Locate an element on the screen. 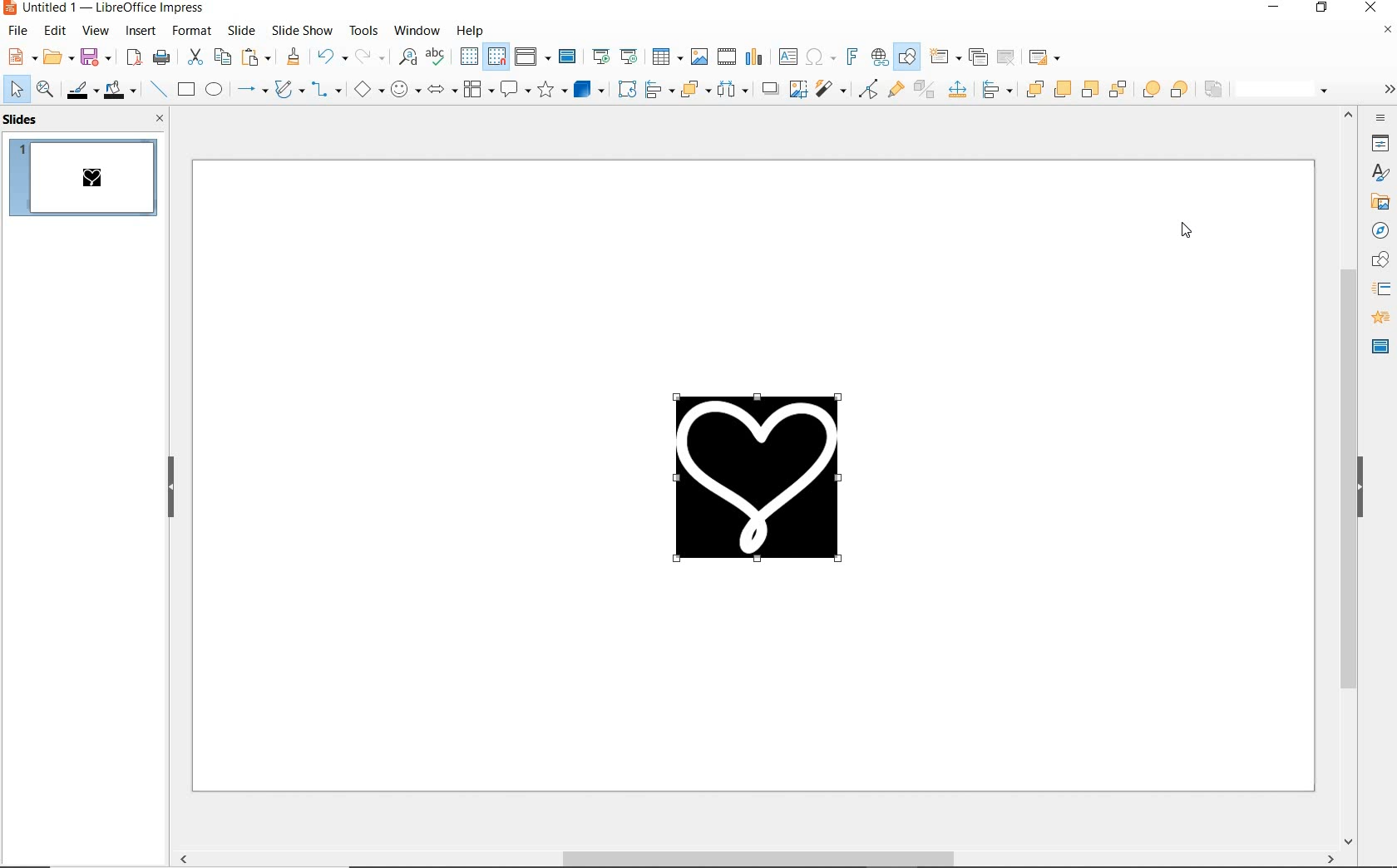 The height and width of the screenshot is (868, 1397). tools is located at coordinates (364, 31).